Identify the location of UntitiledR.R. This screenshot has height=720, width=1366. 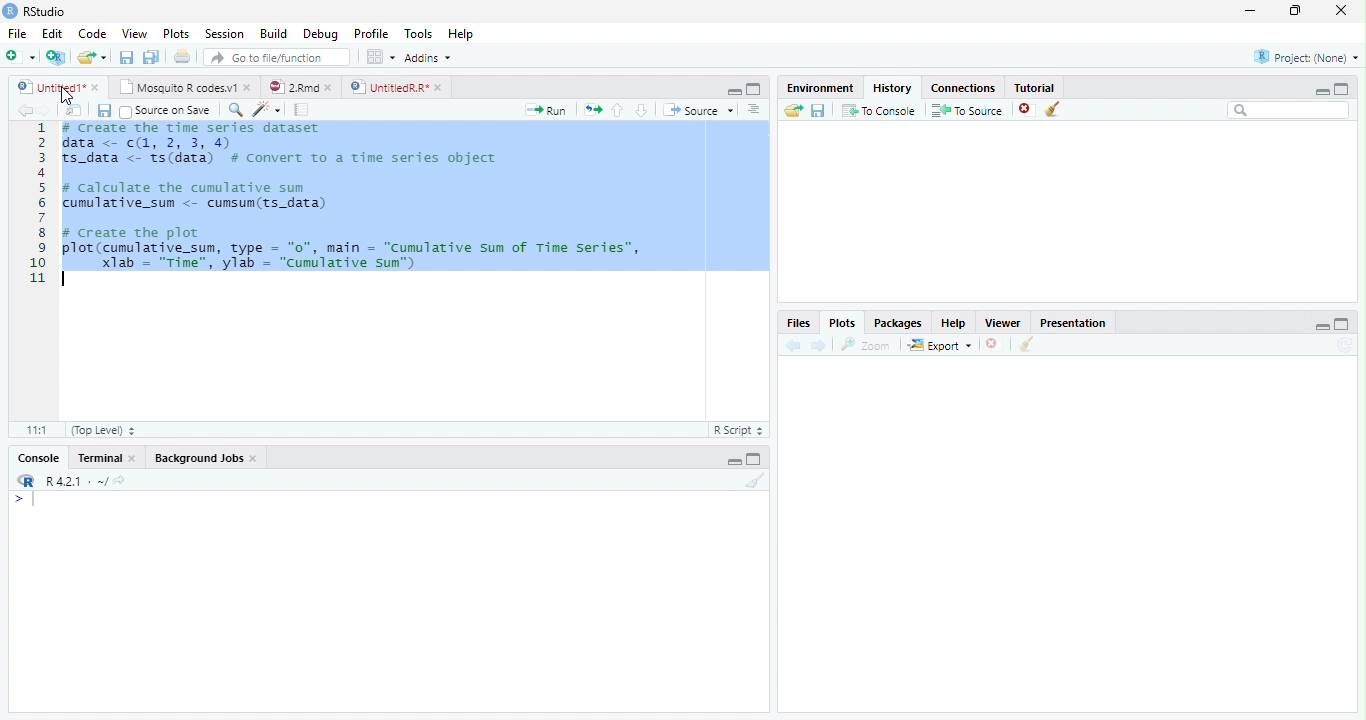
(400, 86).